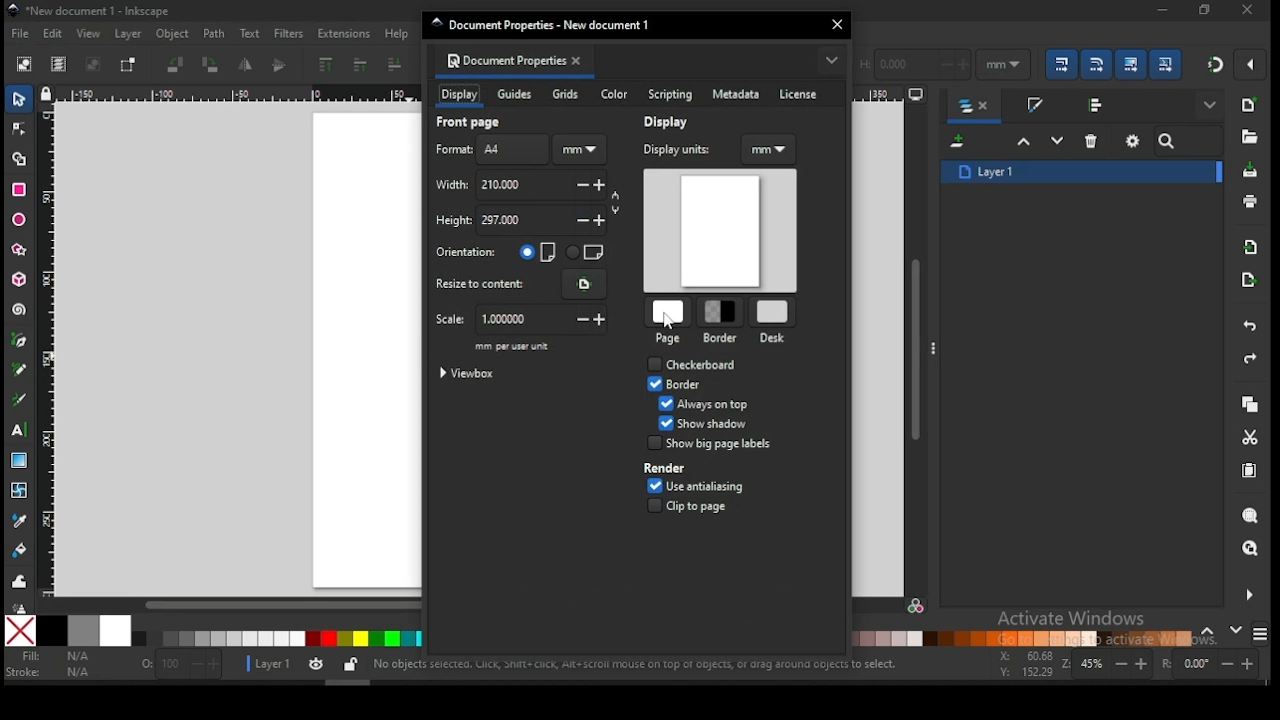 The height and width of the screenshot is (720, 1280). What do you see at coordinates (722, 312) in the screenshot?
I see `border` at bounding box center [722, 312].